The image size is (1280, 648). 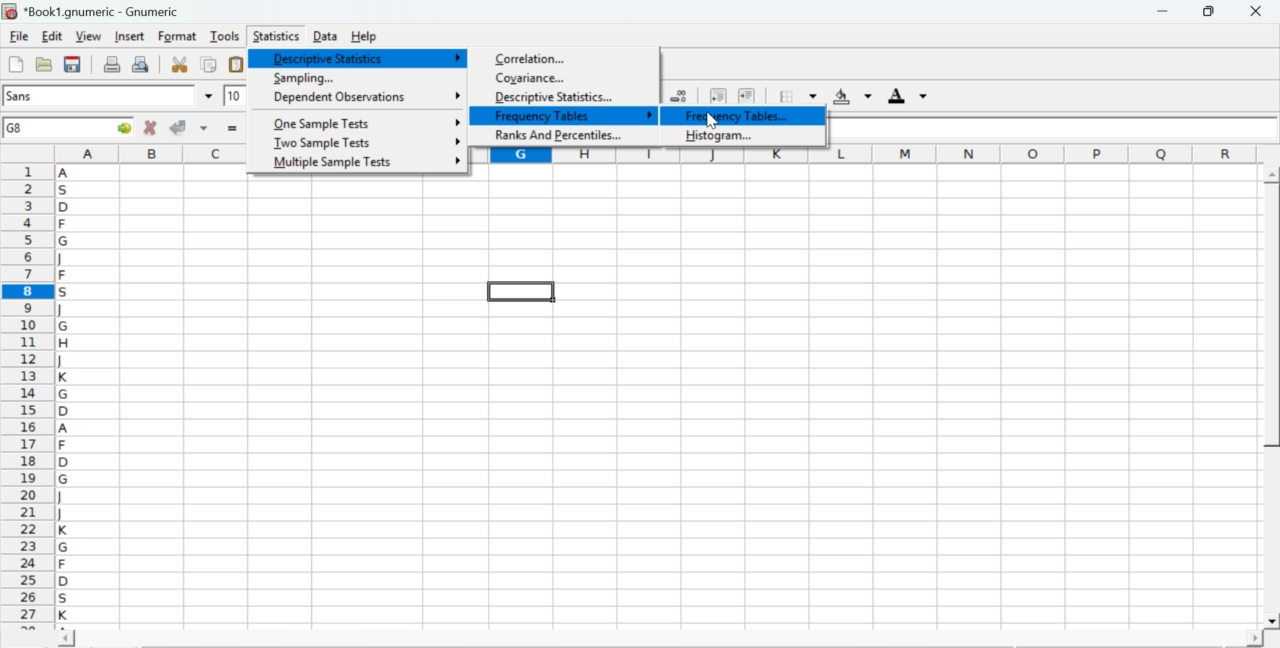 I want to click on scroll bar, so click(x=1272, y=398).